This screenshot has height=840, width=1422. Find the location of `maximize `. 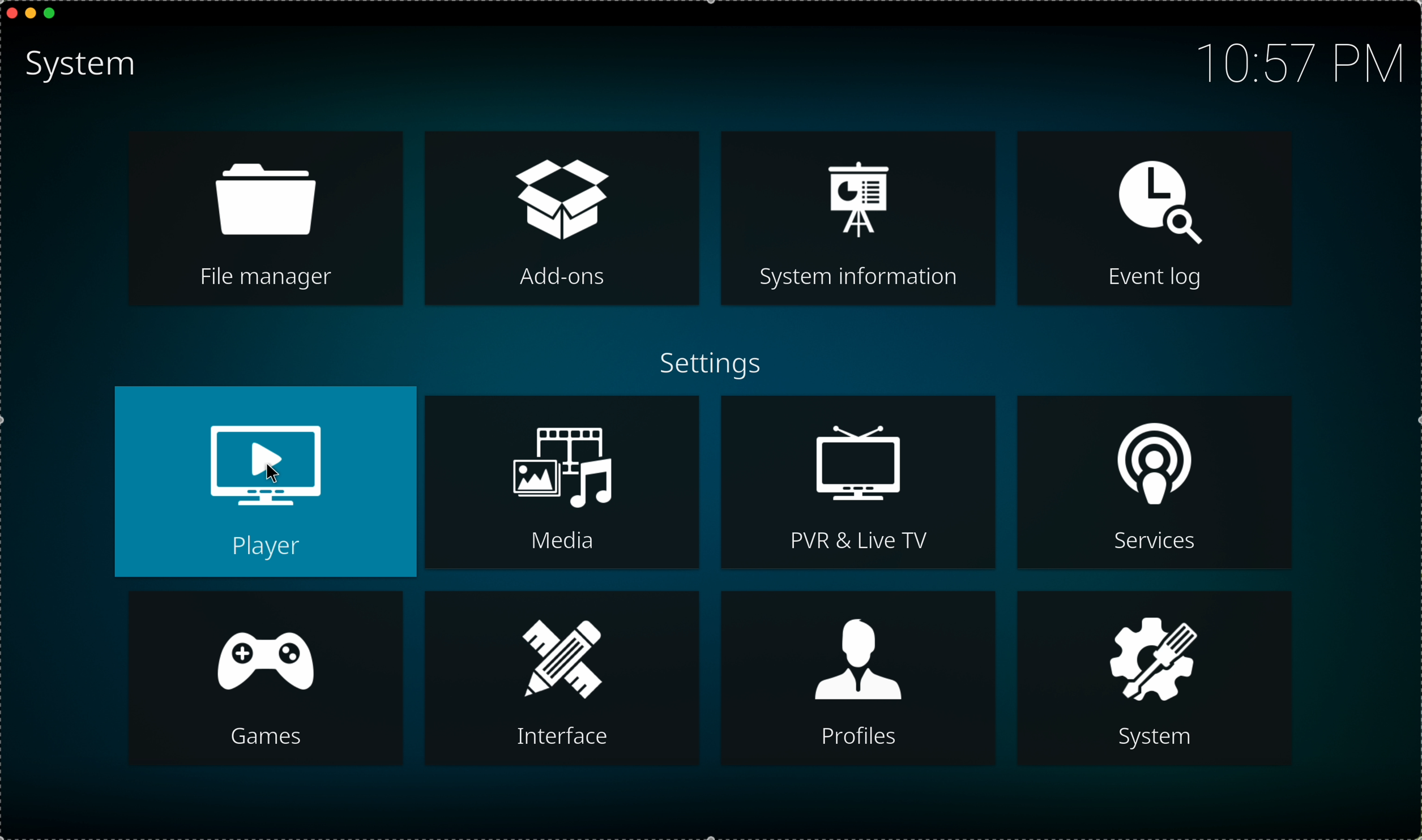

maximize  is located at coordinates (55, 14).